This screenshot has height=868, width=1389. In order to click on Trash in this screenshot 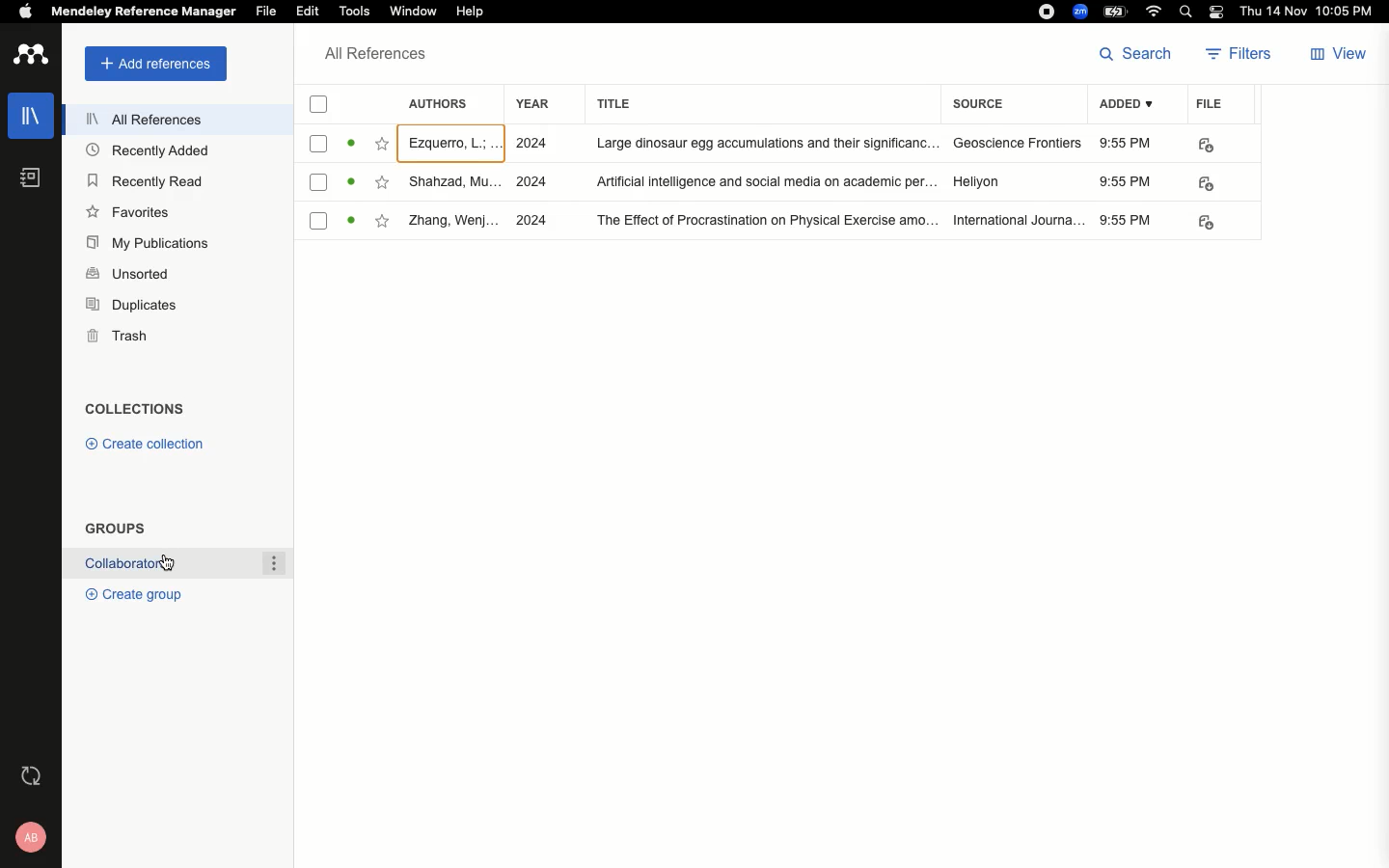, I will do `click(120, 339)`.